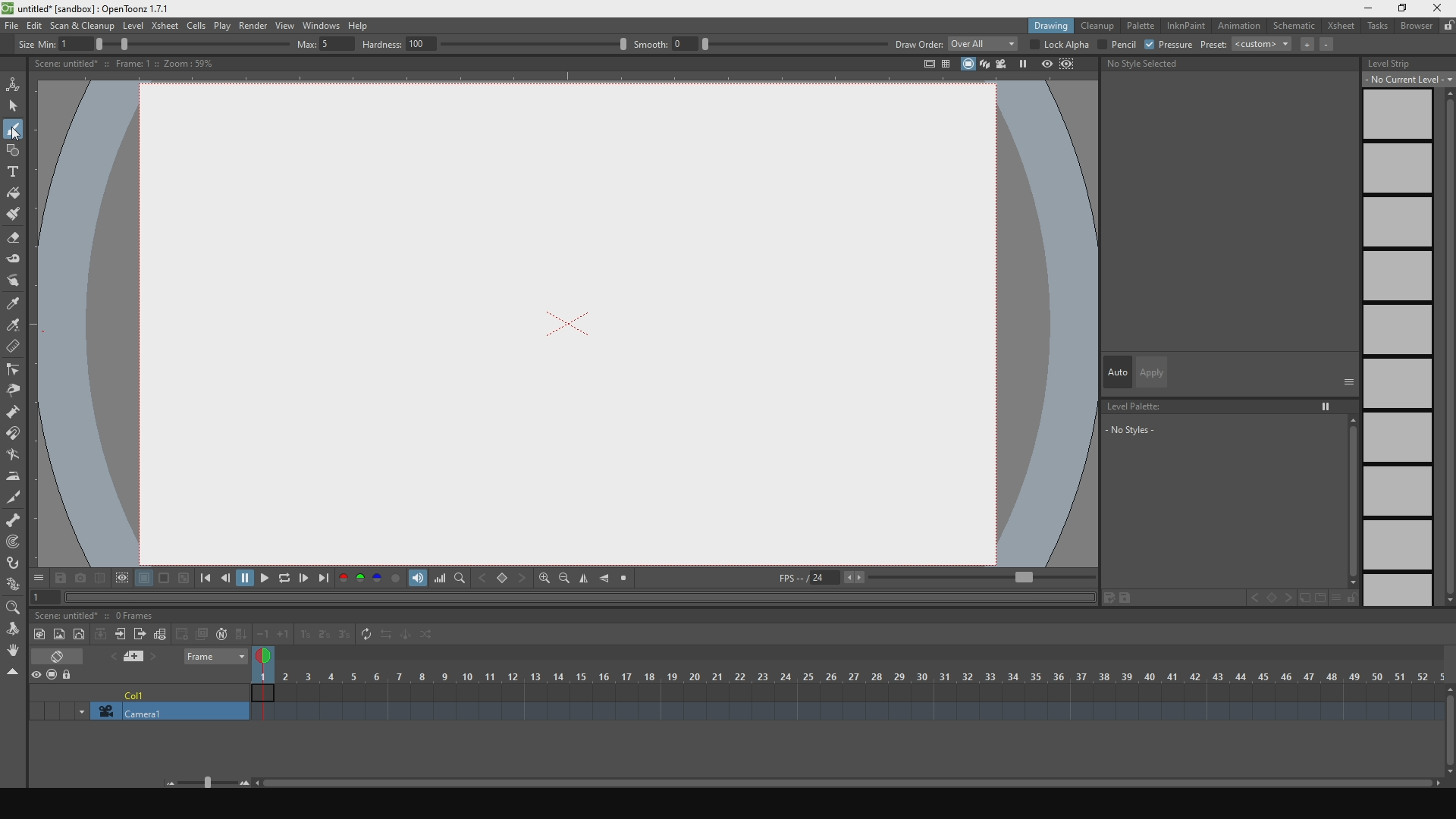  I want to click on pinch, so click(14, 391).